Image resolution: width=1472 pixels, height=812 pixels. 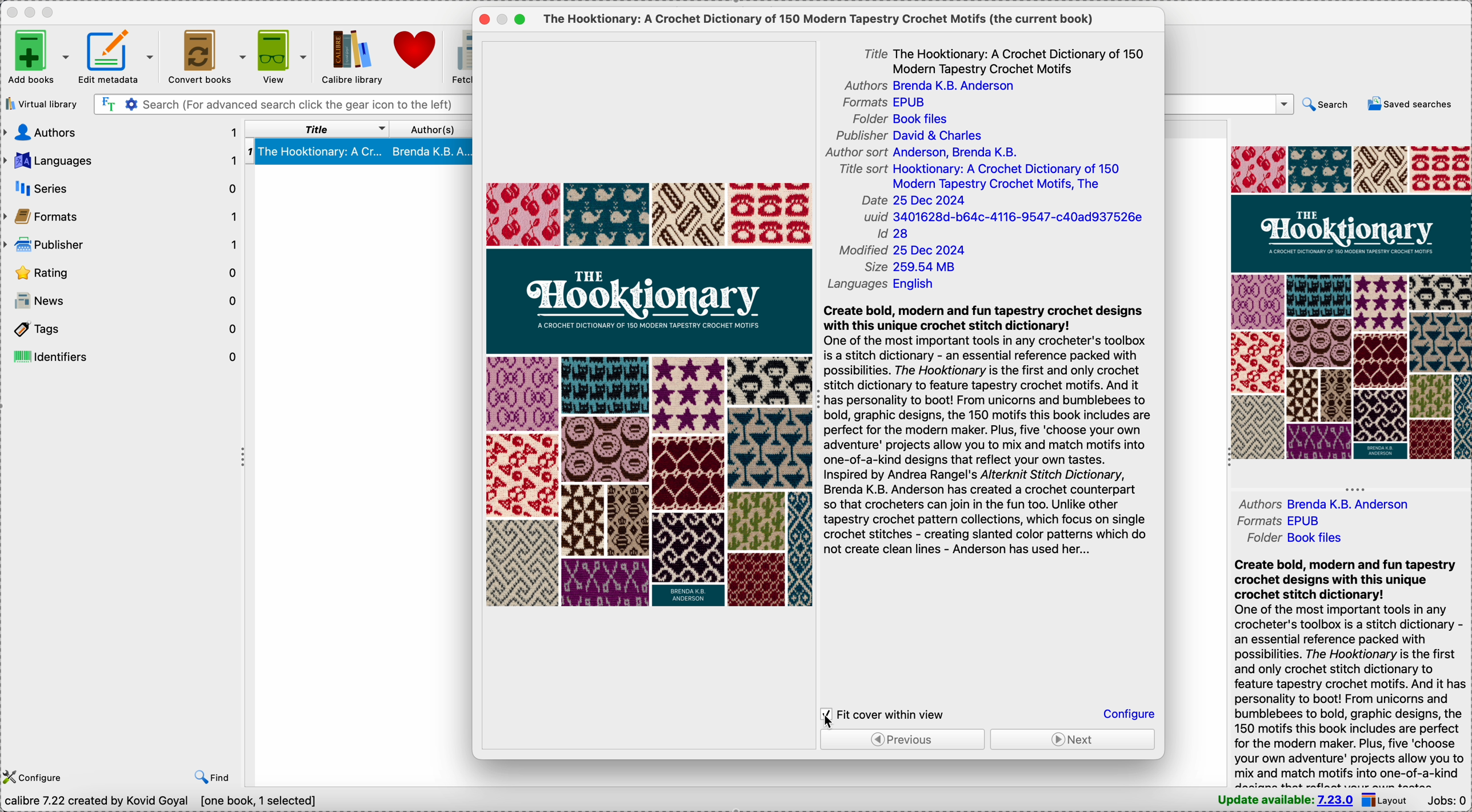 I want to click on saved searches, so click(x=1413, y=103).